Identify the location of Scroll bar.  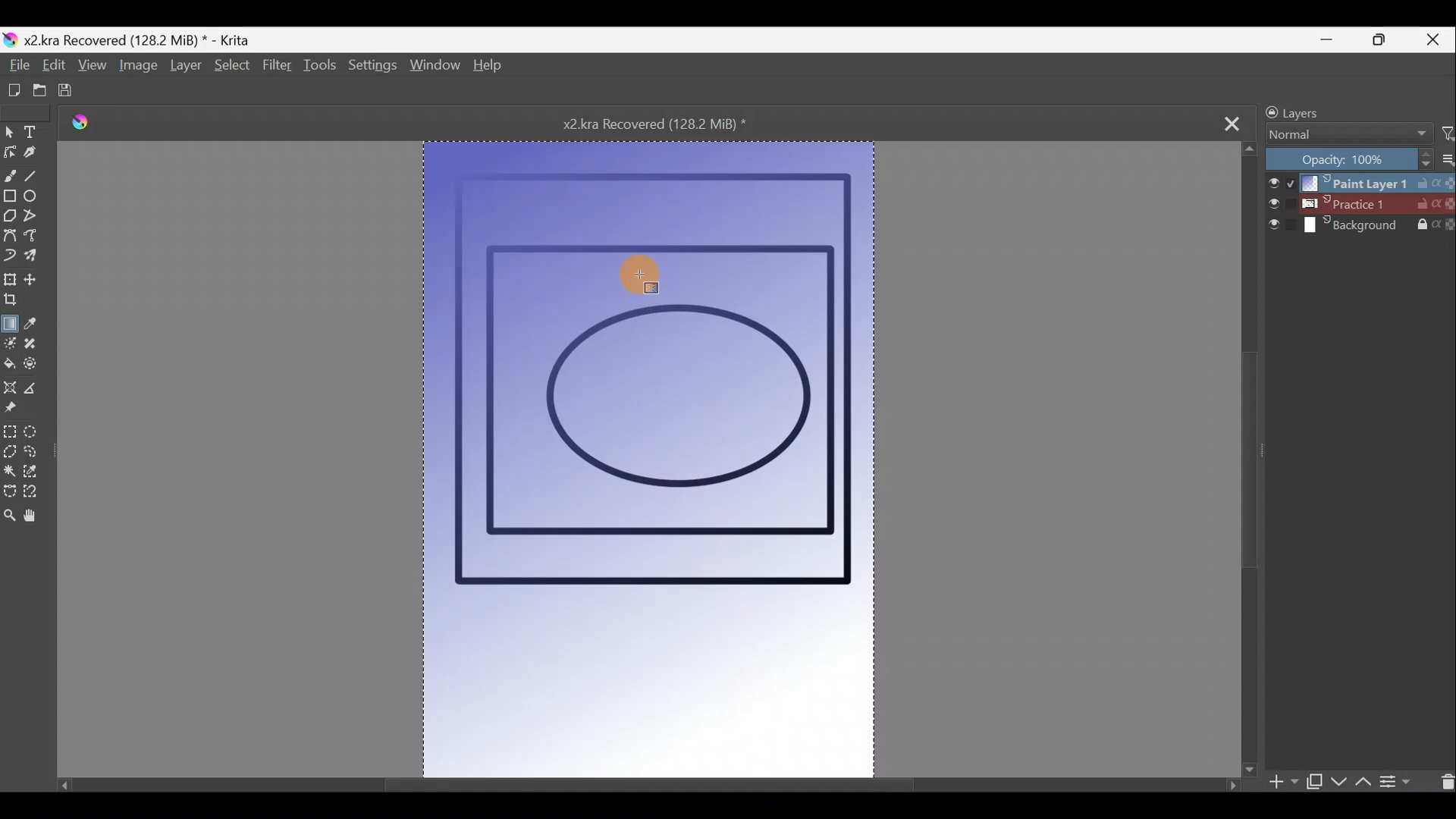
(644, 780).